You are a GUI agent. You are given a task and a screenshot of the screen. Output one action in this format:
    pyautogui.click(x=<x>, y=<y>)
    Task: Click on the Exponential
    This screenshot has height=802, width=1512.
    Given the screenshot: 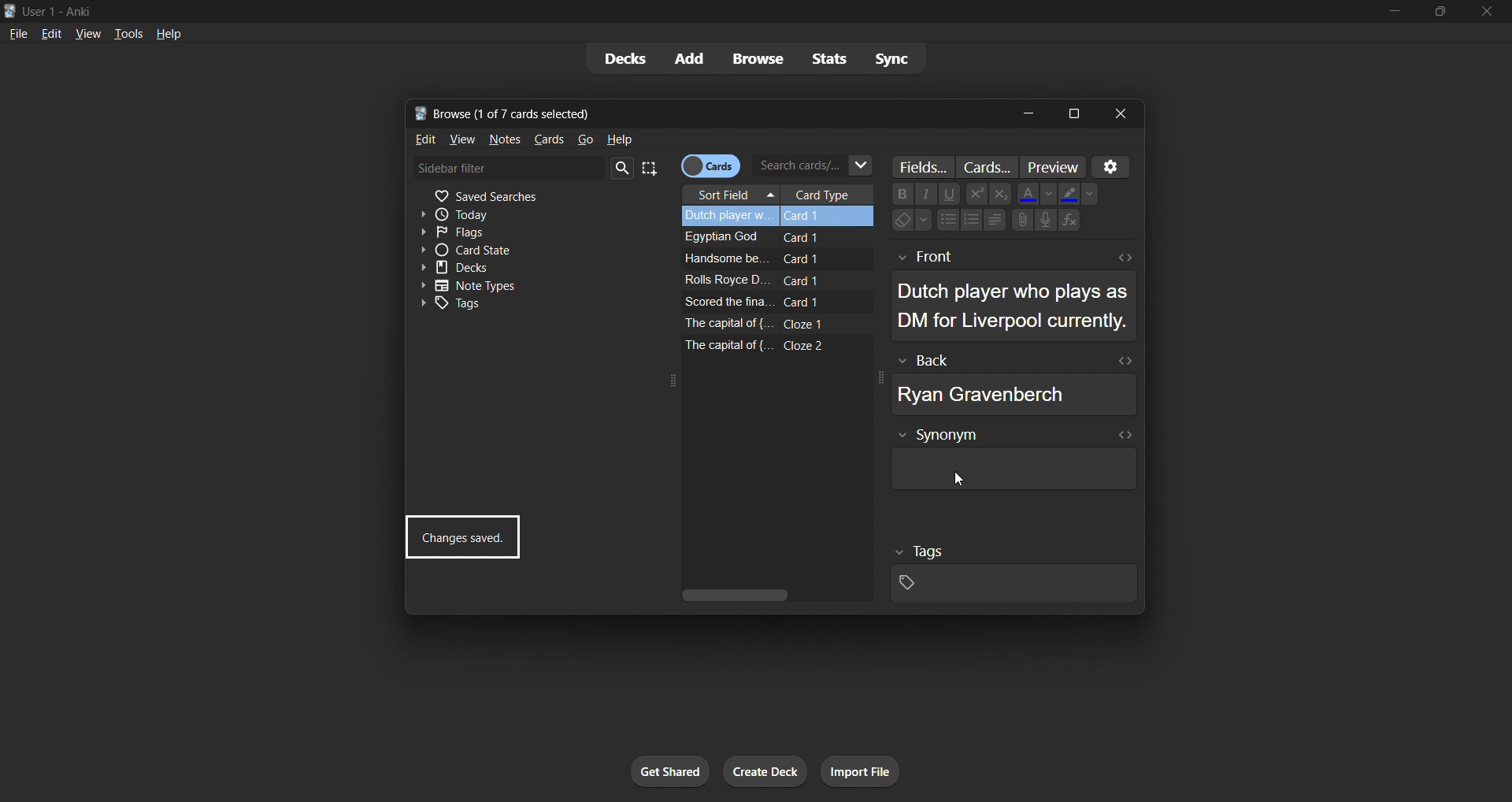 What is the action you would take?
    pyautogui.click(x=999, y=192)
    